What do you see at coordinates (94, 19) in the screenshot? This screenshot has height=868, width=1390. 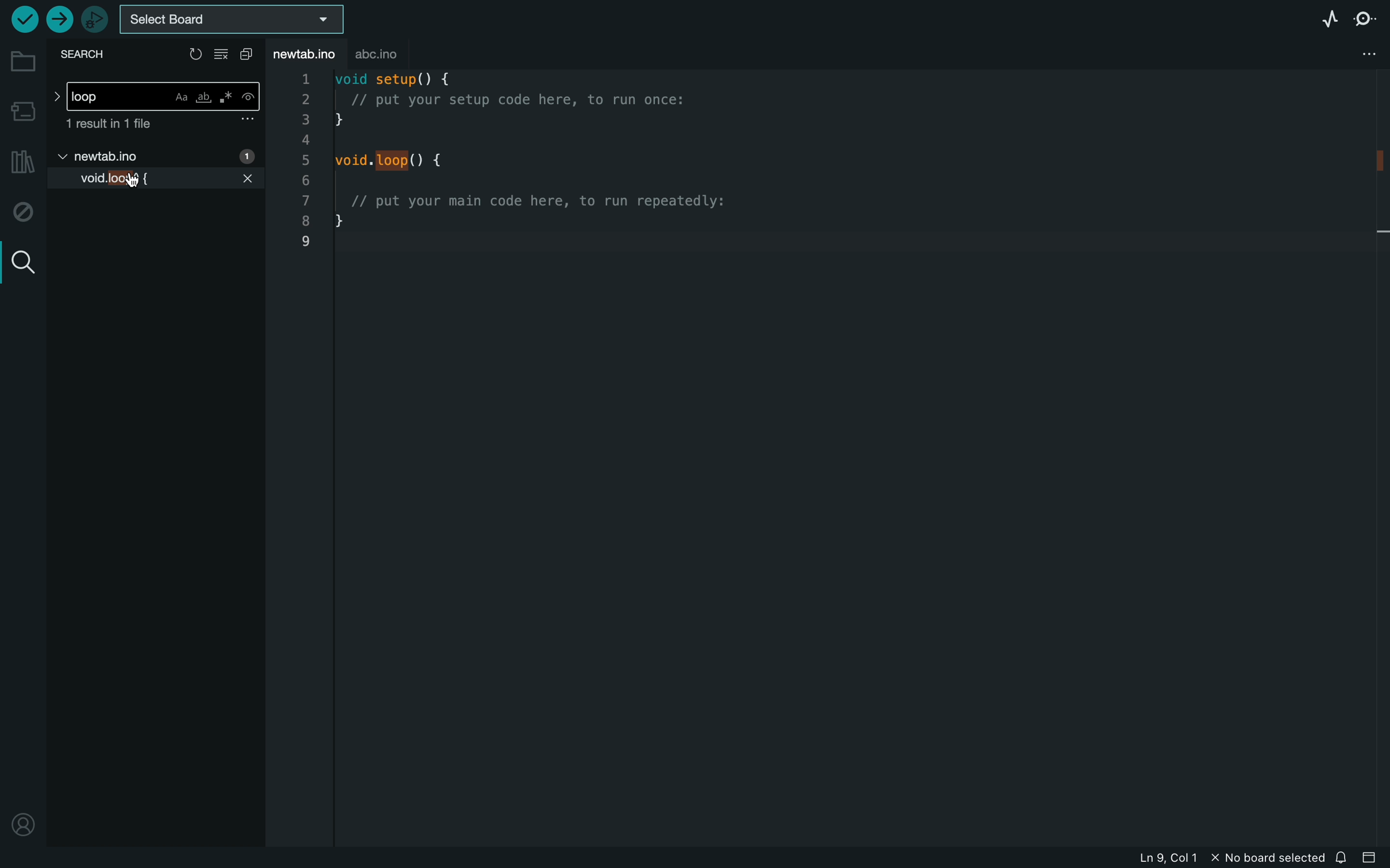 I see `debugger` at bounding box center [94, 19].